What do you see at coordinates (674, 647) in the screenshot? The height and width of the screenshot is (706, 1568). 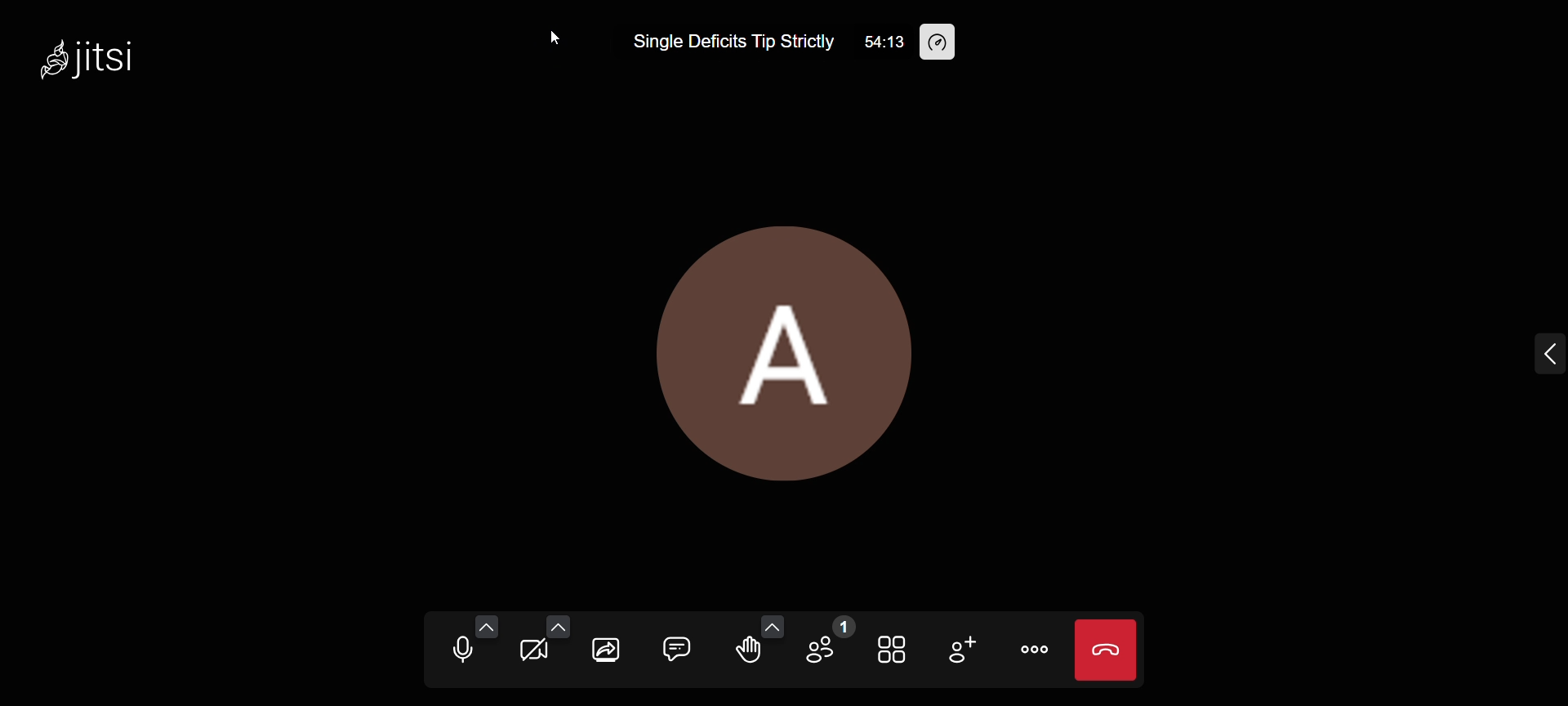 I see `open chat` at bounding box center [674, 647].